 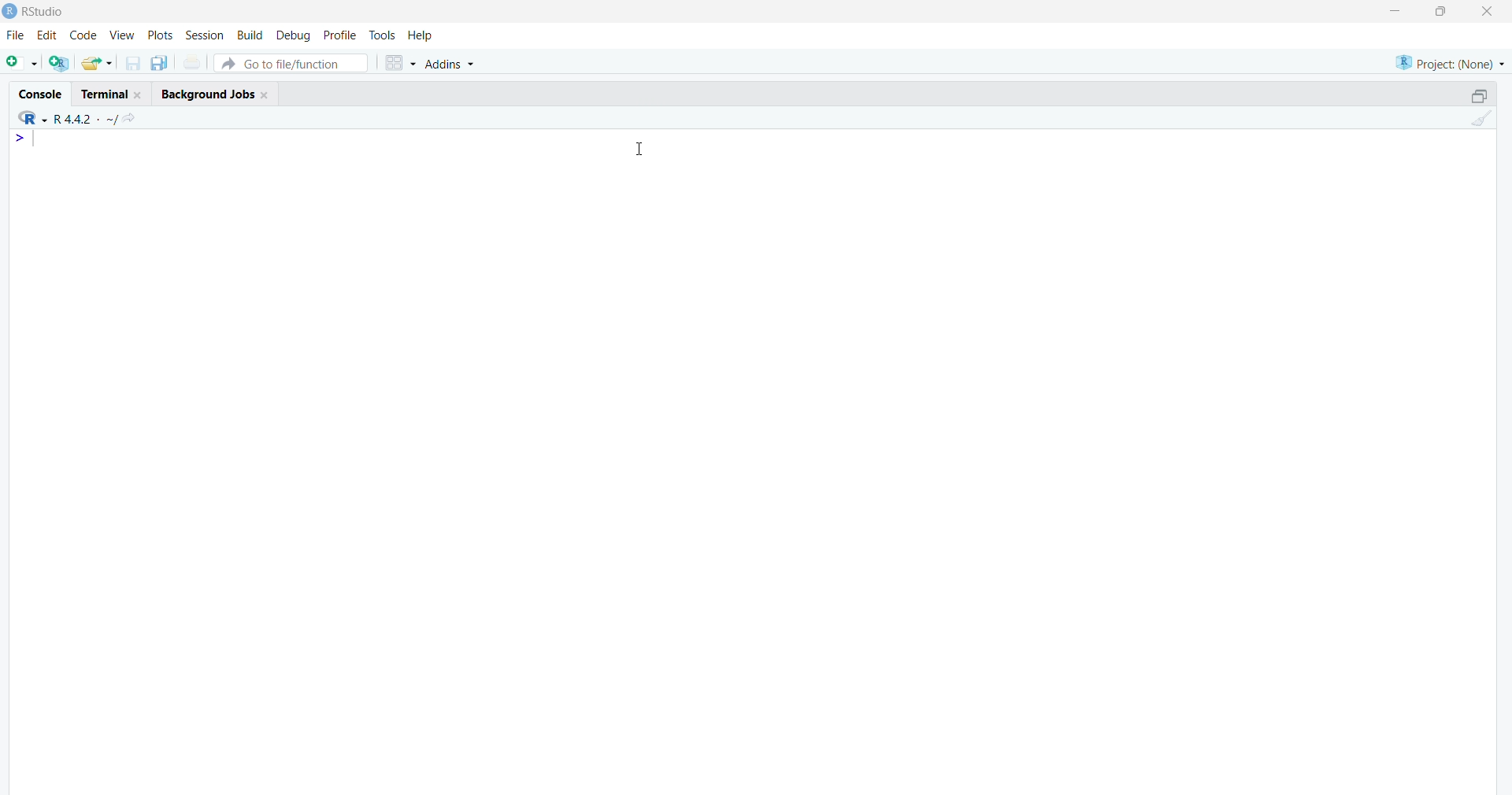 I want to click on help, so click(x=423, y=35).